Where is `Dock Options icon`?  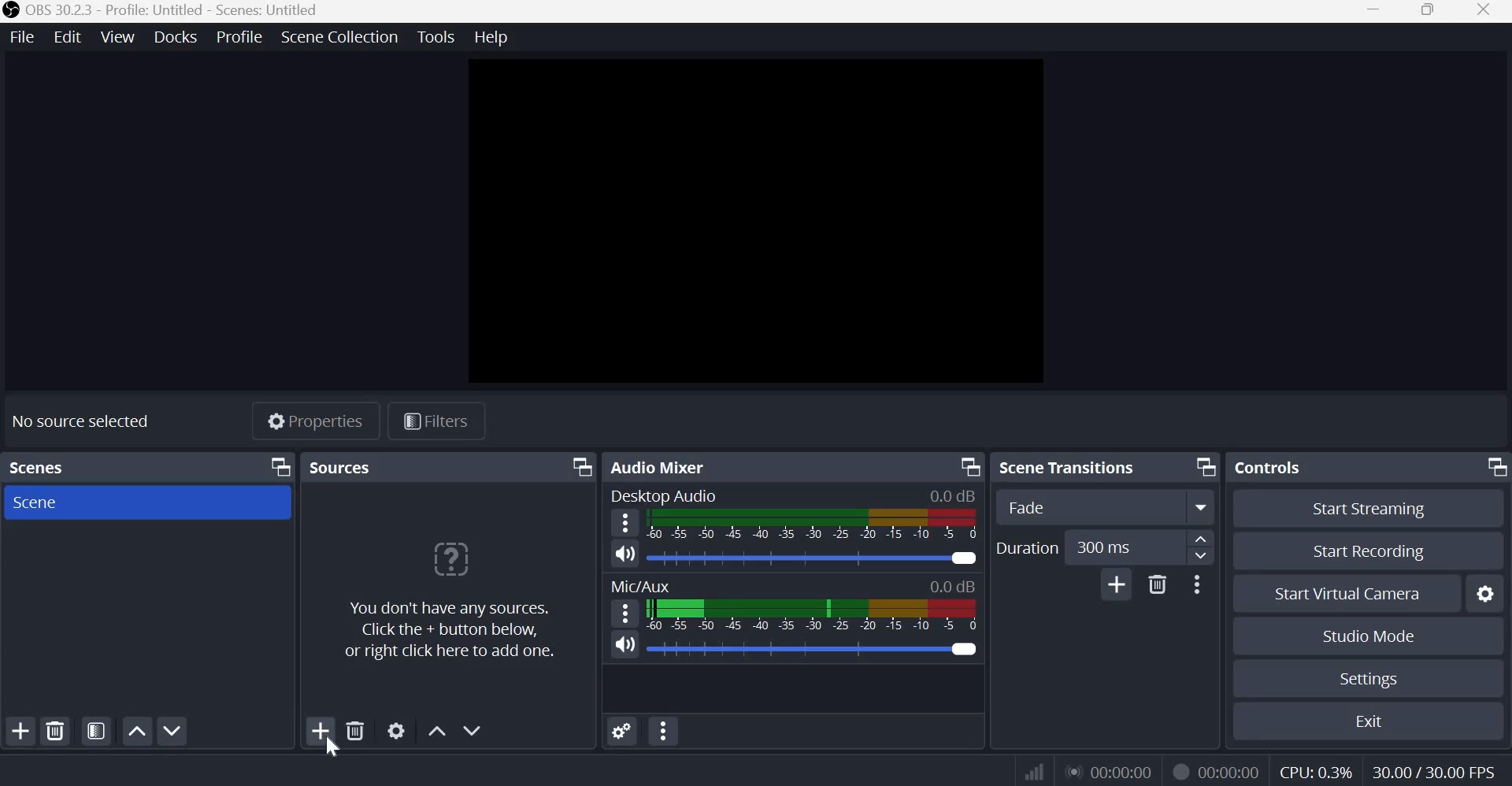
Dock Options icon is located at coordinates (967, 465).